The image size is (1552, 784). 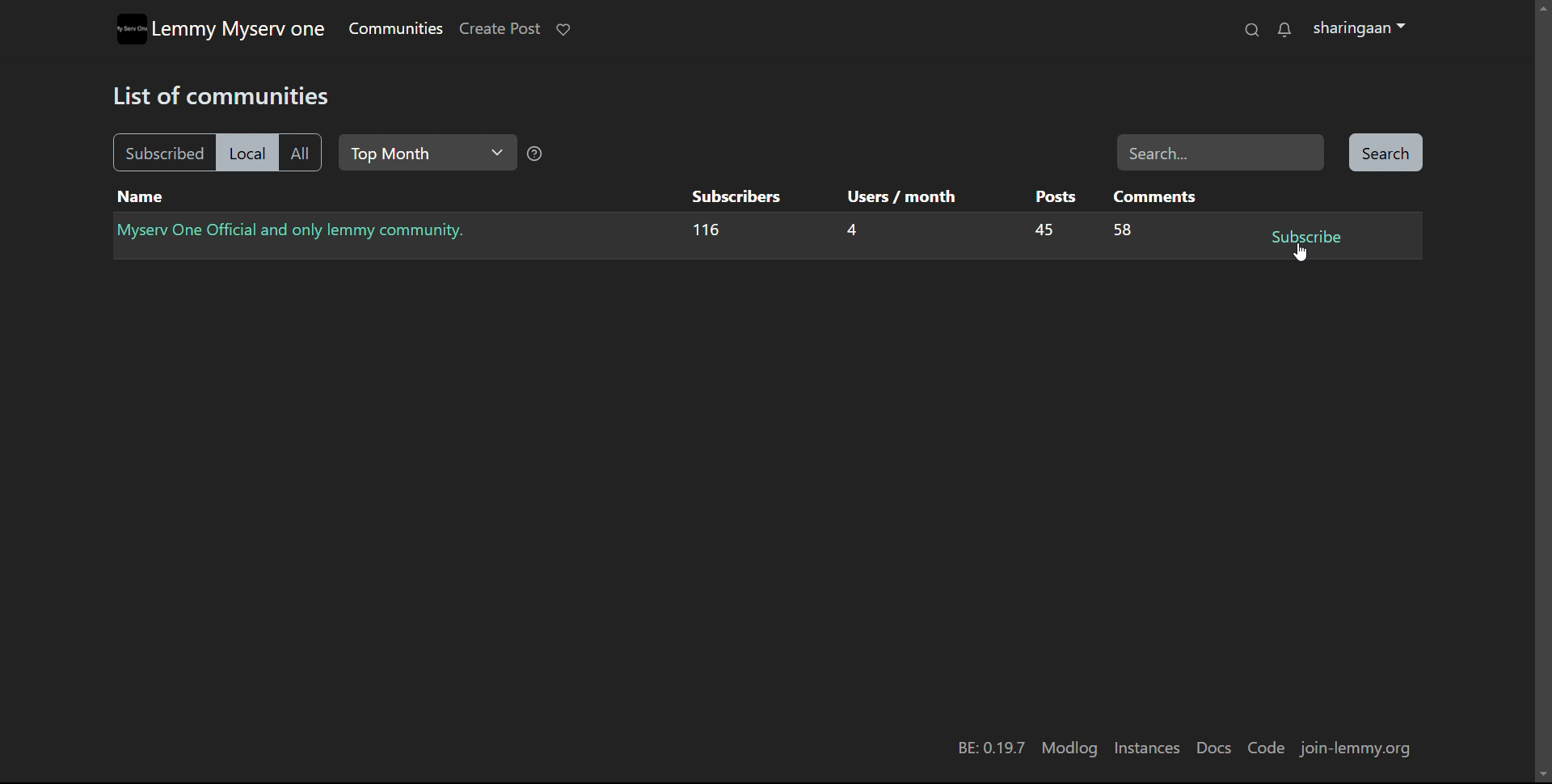 I want to click on cursor, so click(x=1301, y=251).